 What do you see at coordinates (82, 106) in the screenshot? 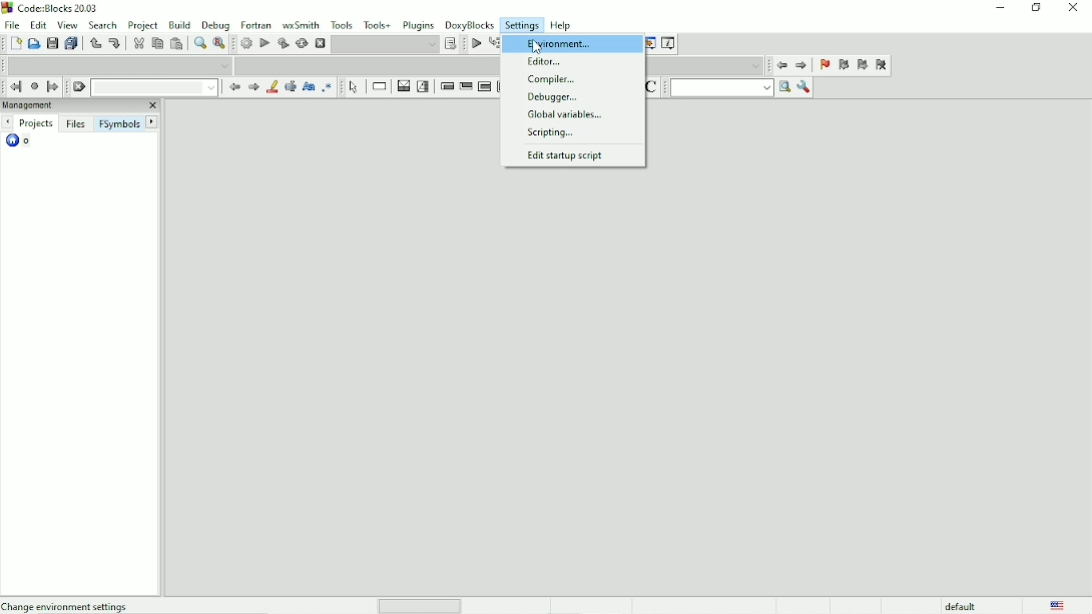
I see `Management` at bounding box center [82, 106].